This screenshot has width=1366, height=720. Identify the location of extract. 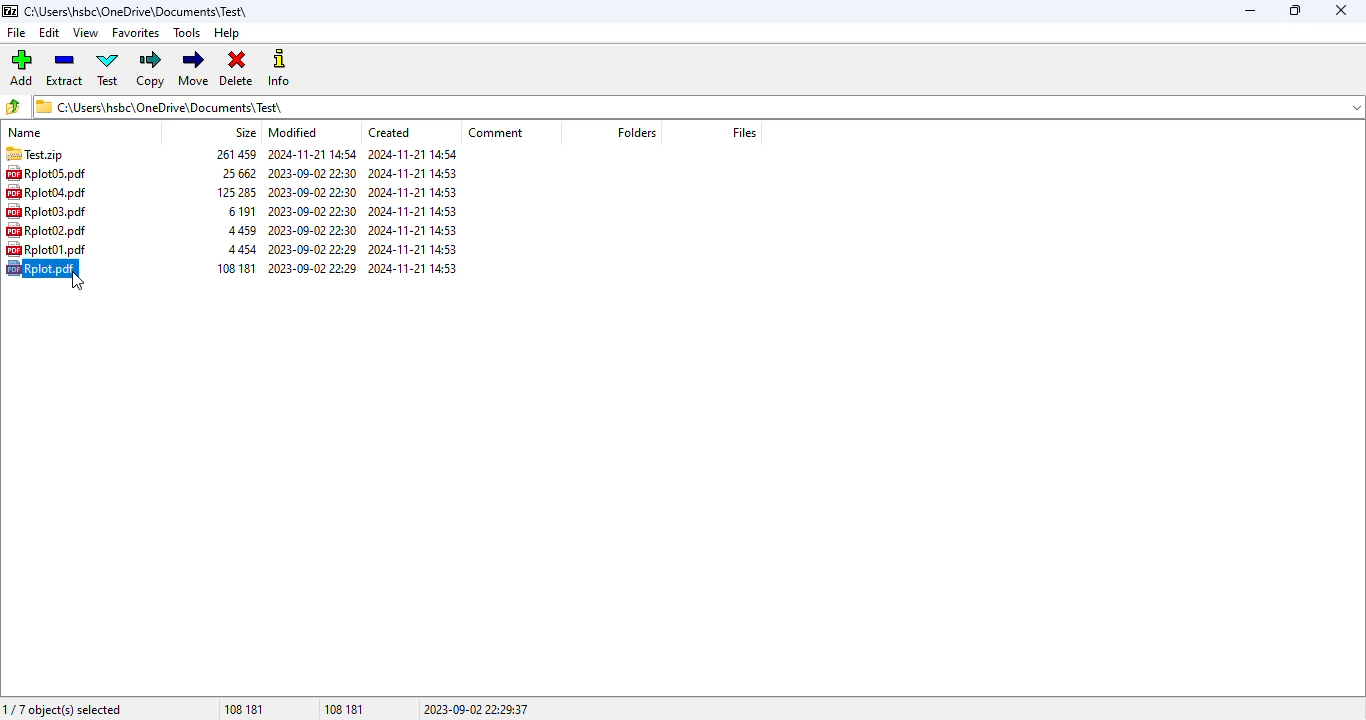
(65, 68).